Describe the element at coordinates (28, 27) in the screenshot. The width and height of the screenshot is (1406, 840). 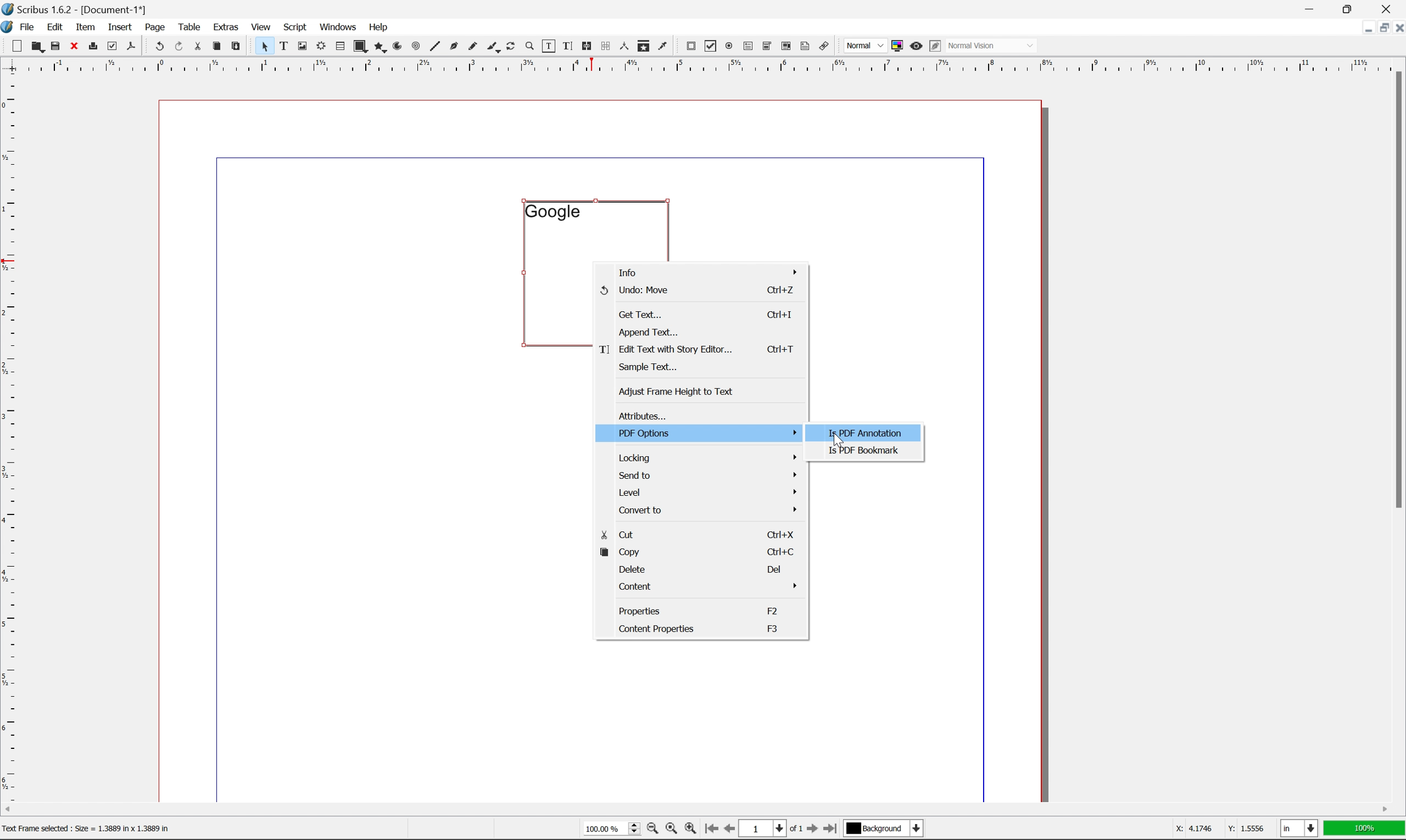
I see `file` at that location.